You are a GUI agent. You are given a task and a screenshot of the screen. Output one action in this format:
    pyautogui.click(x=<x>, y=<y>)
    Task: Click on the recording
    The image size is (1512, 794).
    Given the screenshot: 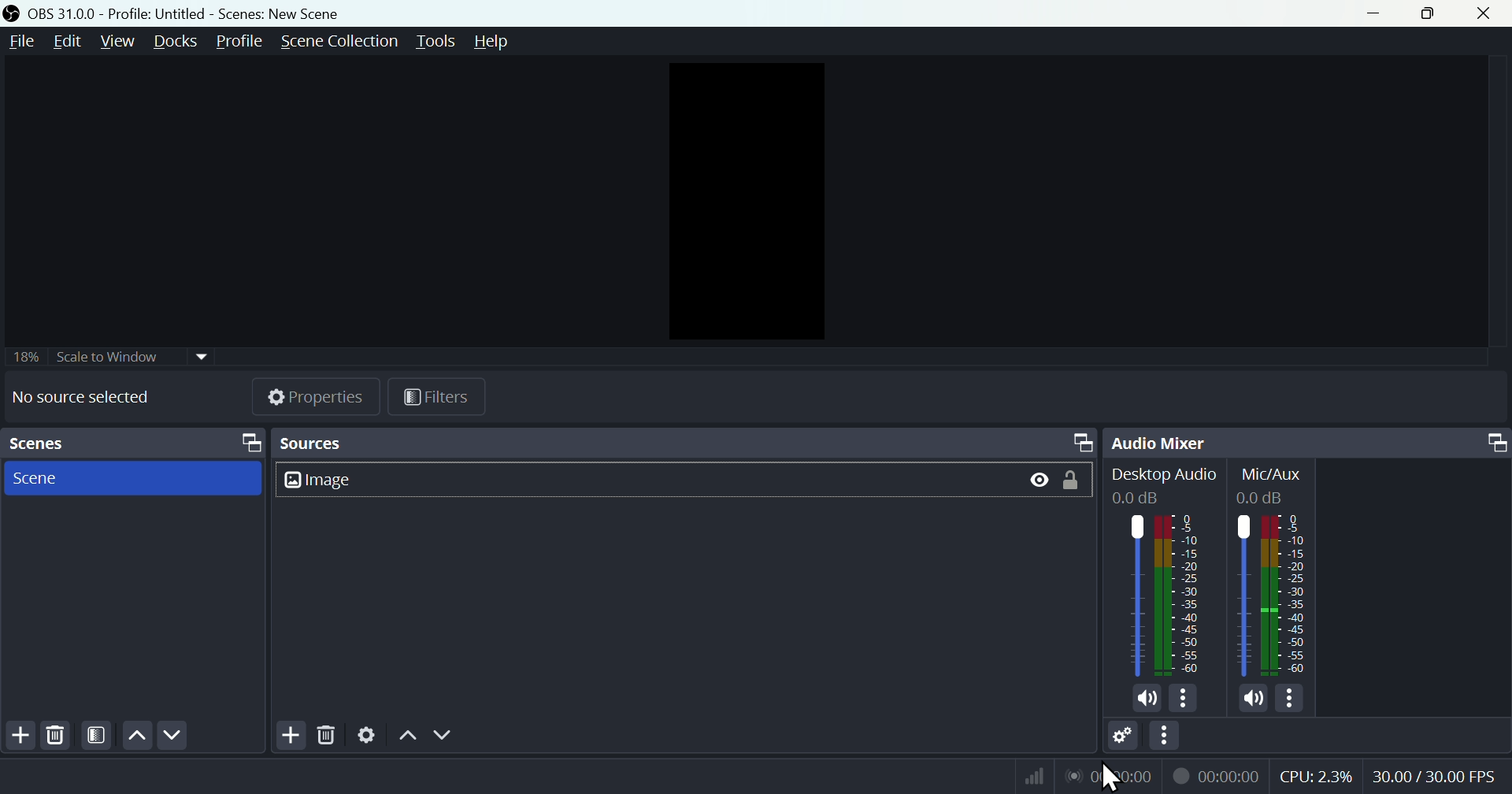 What is the action you would take?
    pyautogui.click(x=1217, y=776)
    